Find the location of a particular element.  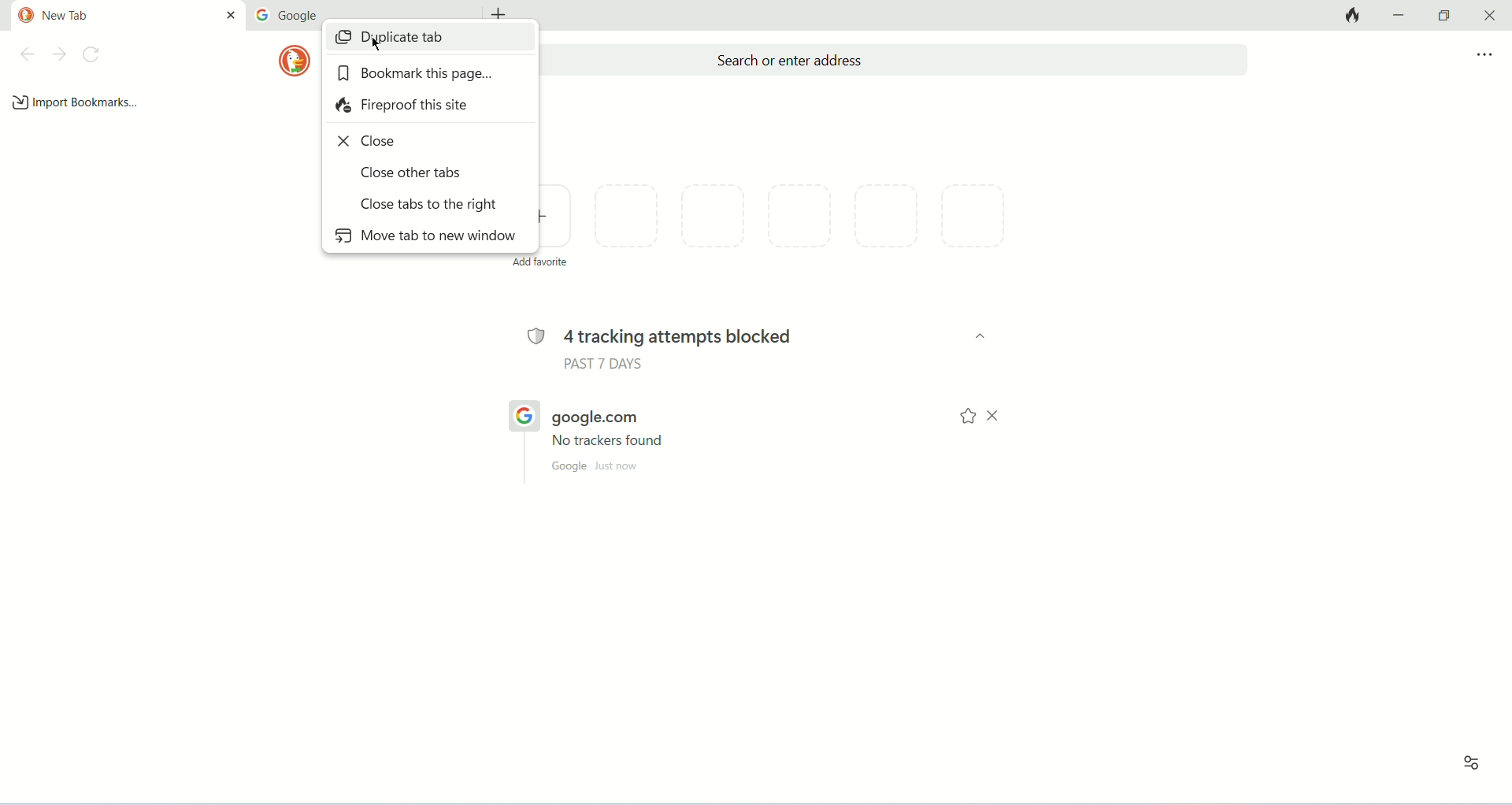

close tabs and clear data is located at coordinates (1354, 16).